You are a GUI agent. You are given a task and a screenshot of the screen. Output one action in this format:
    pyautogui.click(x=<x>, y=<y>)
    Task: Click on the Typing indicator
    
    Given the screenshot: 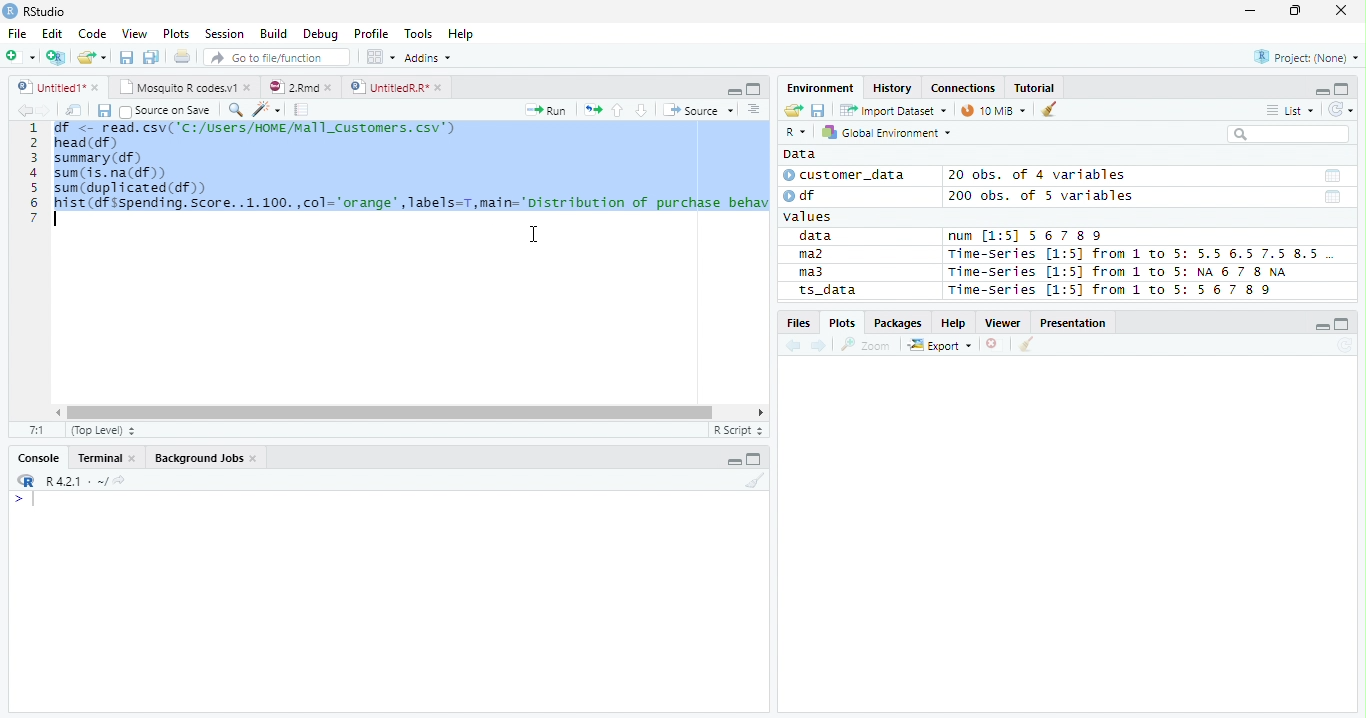 What is the action you would take?
    pyautogui.click(x=33, y=500)
    